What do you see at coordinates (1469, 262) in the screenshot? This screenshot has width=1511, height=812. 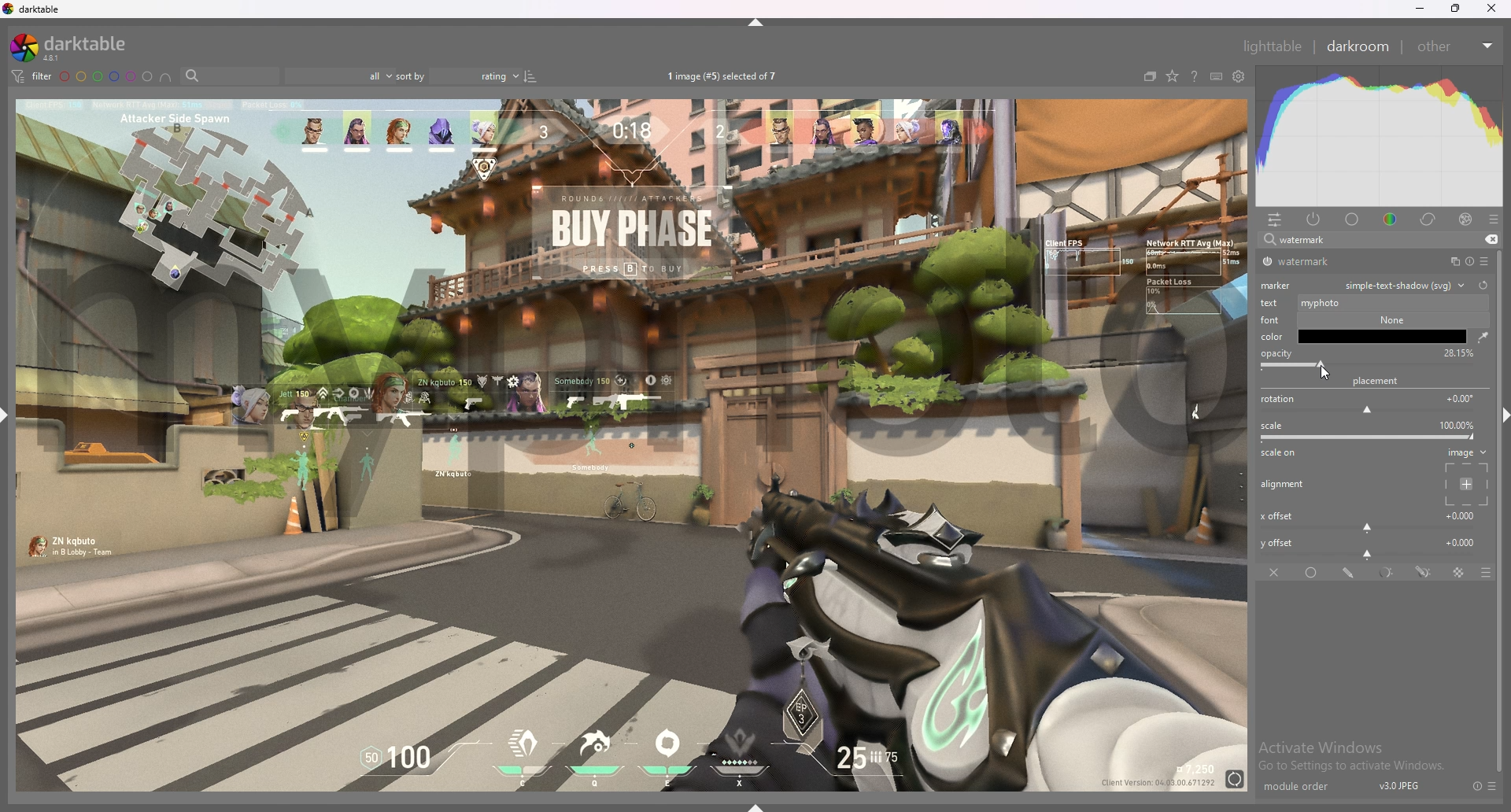 I see `reset` at bounding box center [1469, 262].